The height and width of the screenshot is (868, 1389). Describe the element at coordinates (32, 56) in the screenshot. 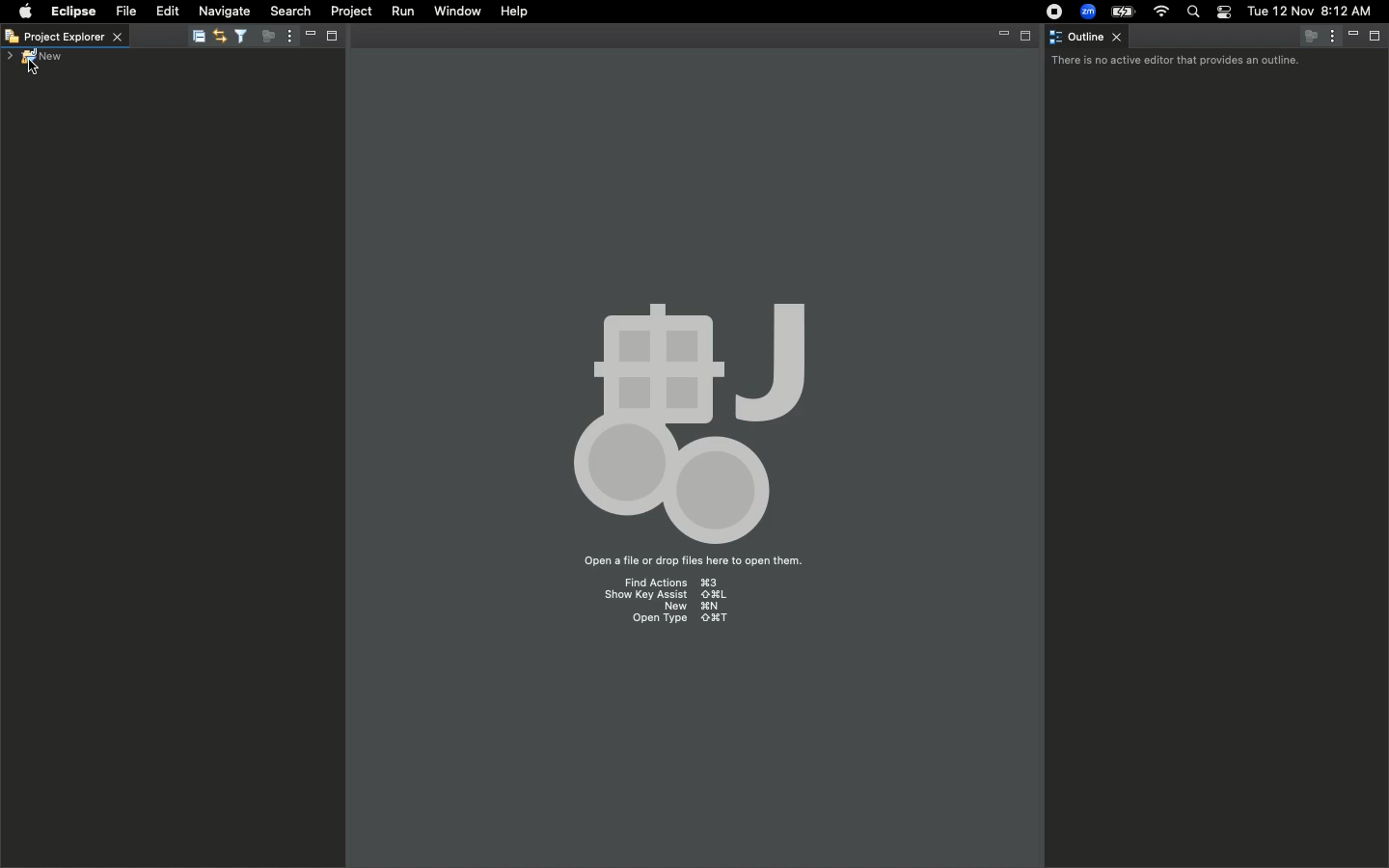

I see `New` at that location.